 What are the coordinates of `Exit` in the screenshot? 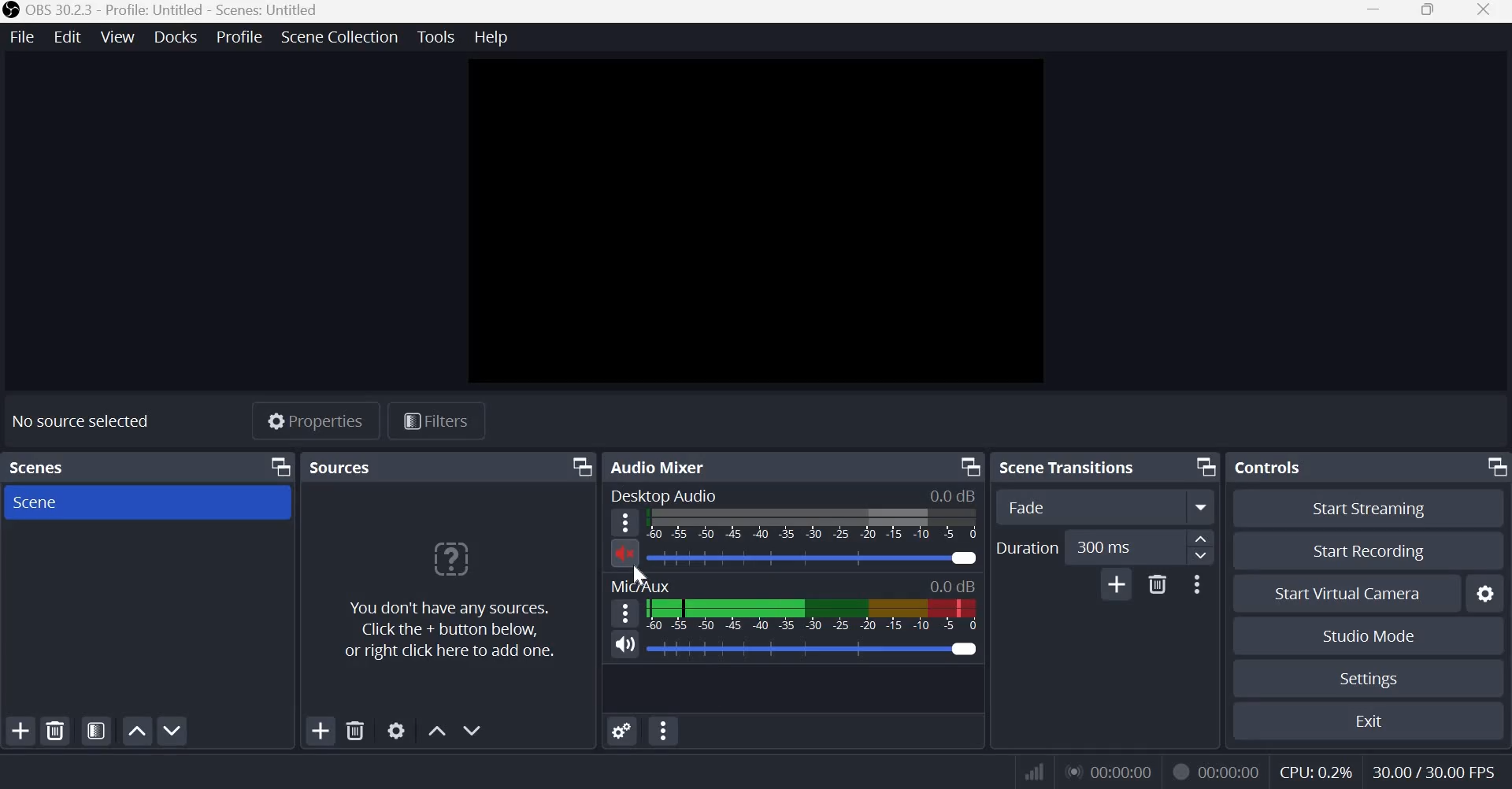 It's located at (1372, 720).